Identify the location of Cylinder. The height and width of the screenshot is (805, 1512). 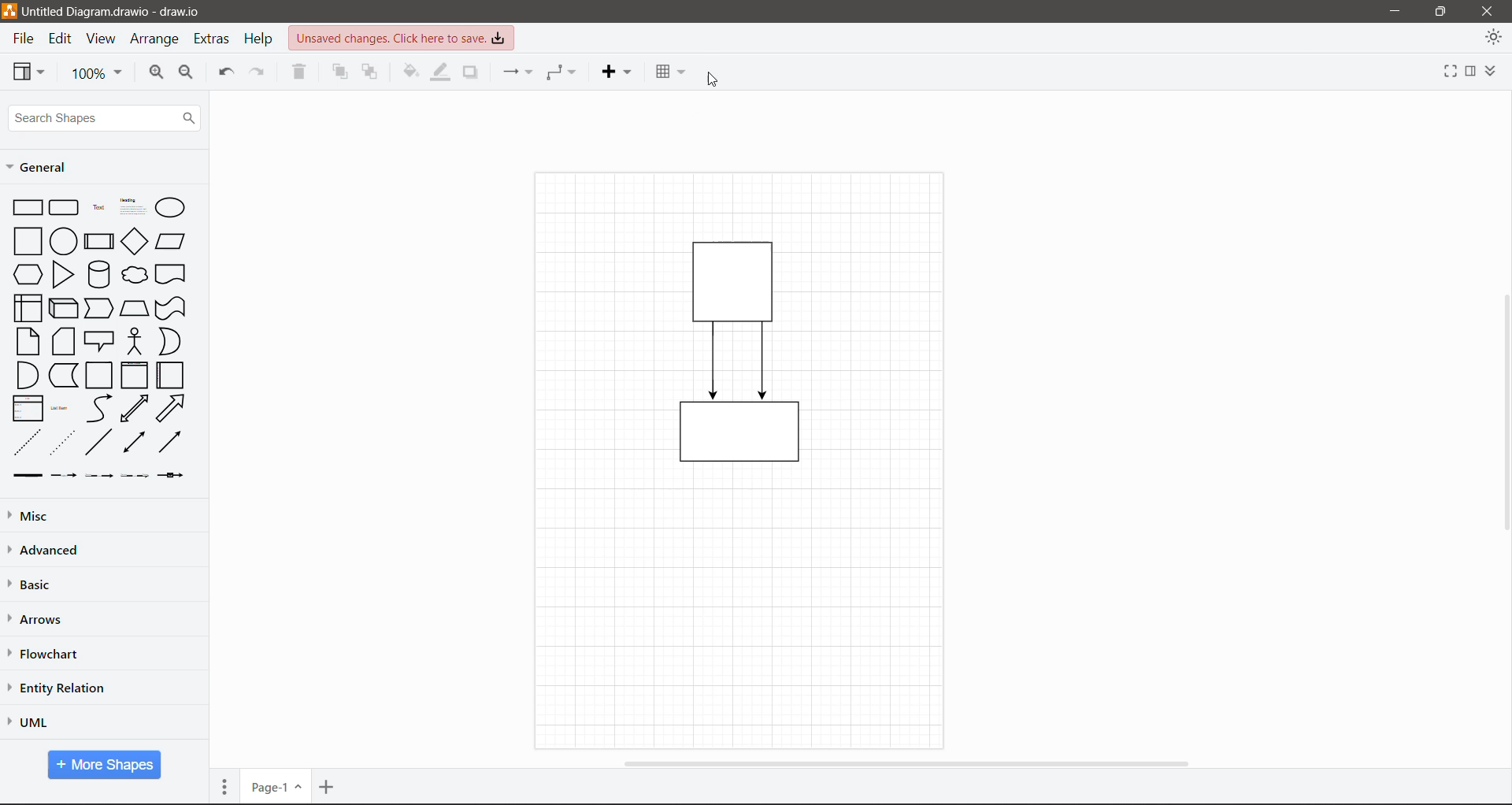
(98, 274).